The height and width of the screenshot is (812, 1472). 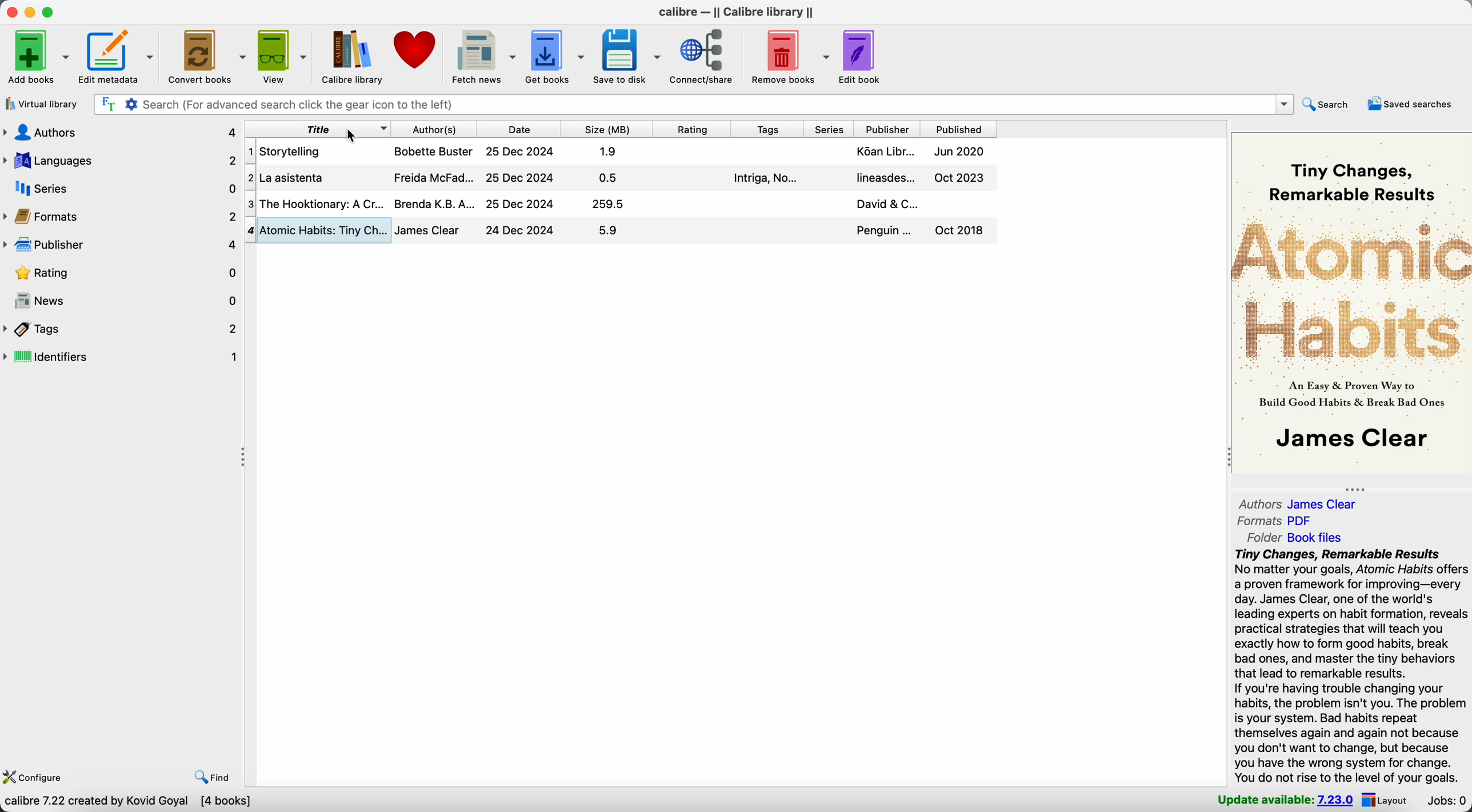 I want to click on rating, so click(x=119, y=275).